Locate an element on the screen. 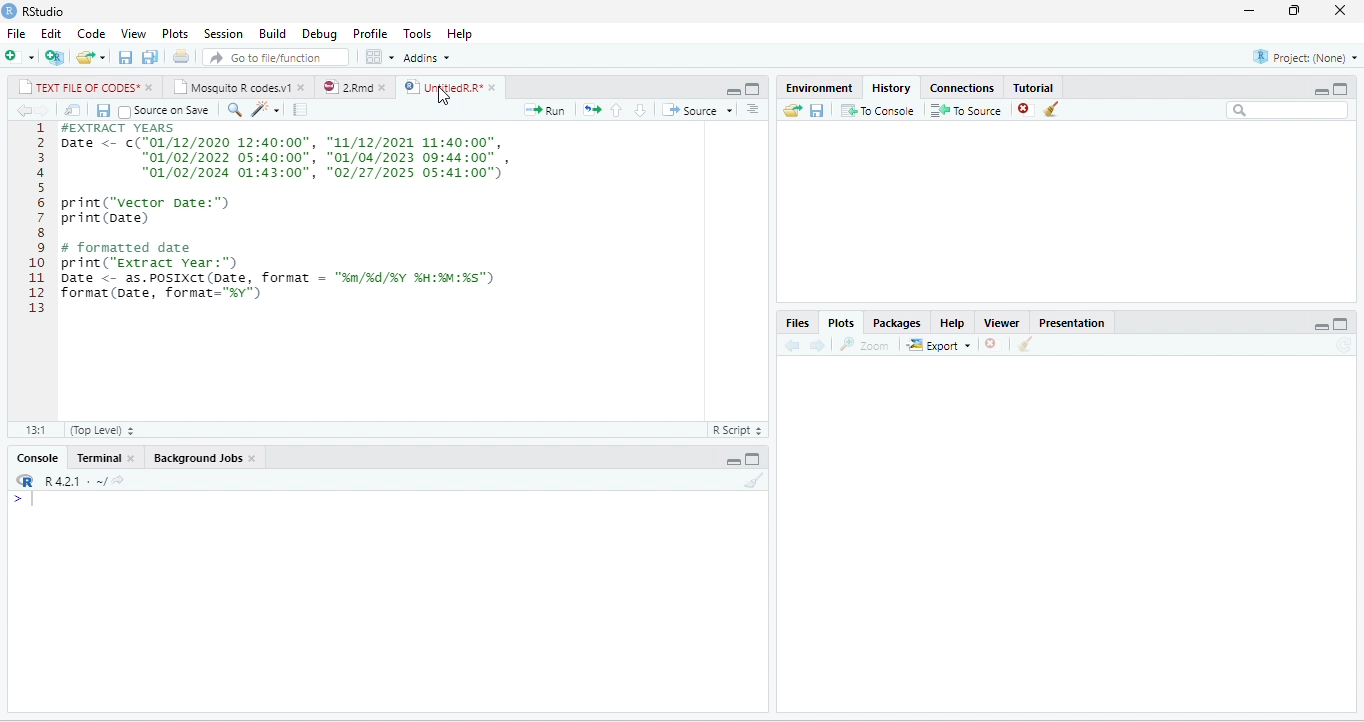 This screenshot has height=722, width=1364. close is located at coordinates (385, 87).